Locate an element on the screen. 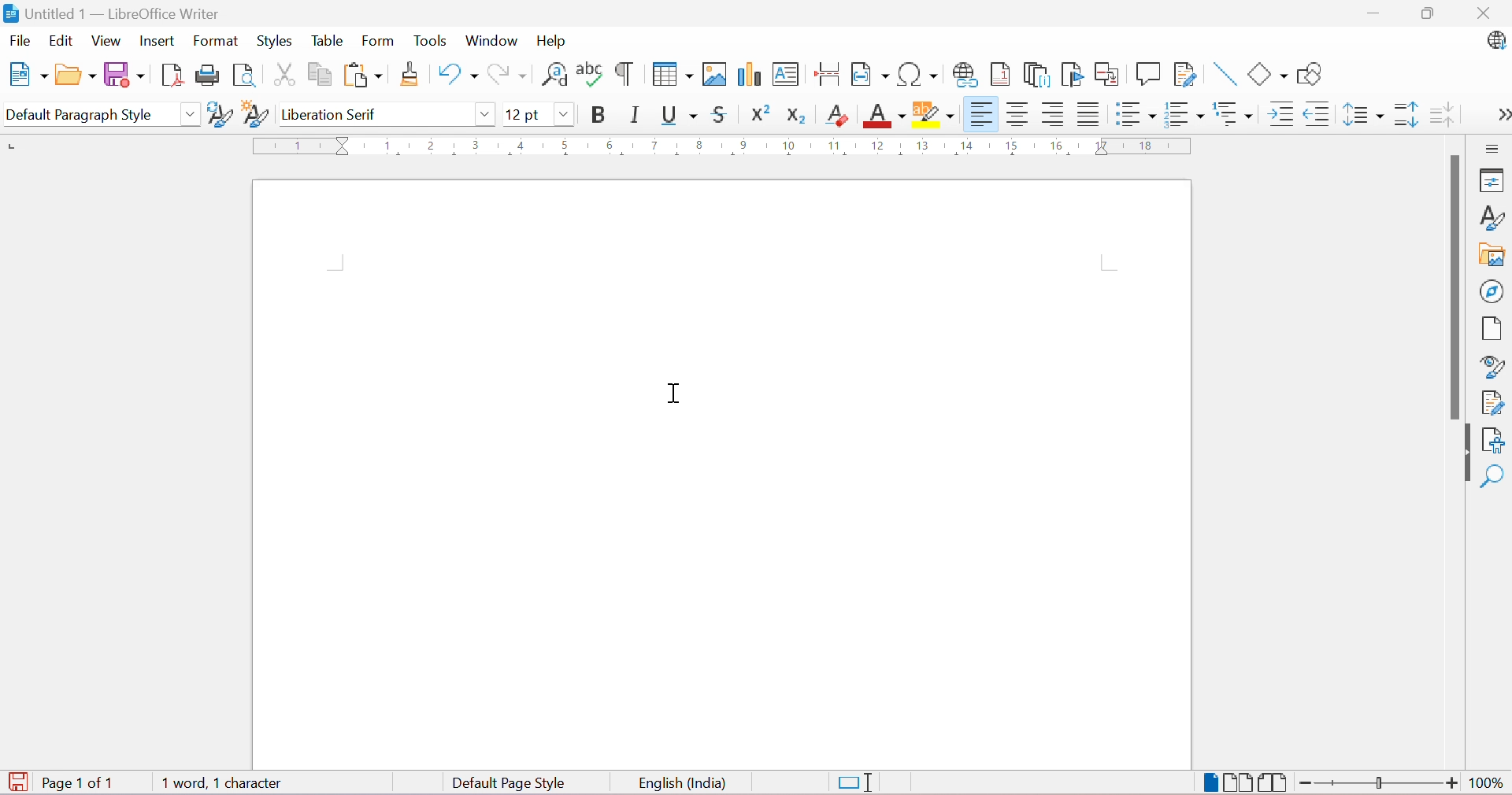 The image size is (1512, 795). Standard Selection. Click to change selection mode. is located at coordinates (857, 783).